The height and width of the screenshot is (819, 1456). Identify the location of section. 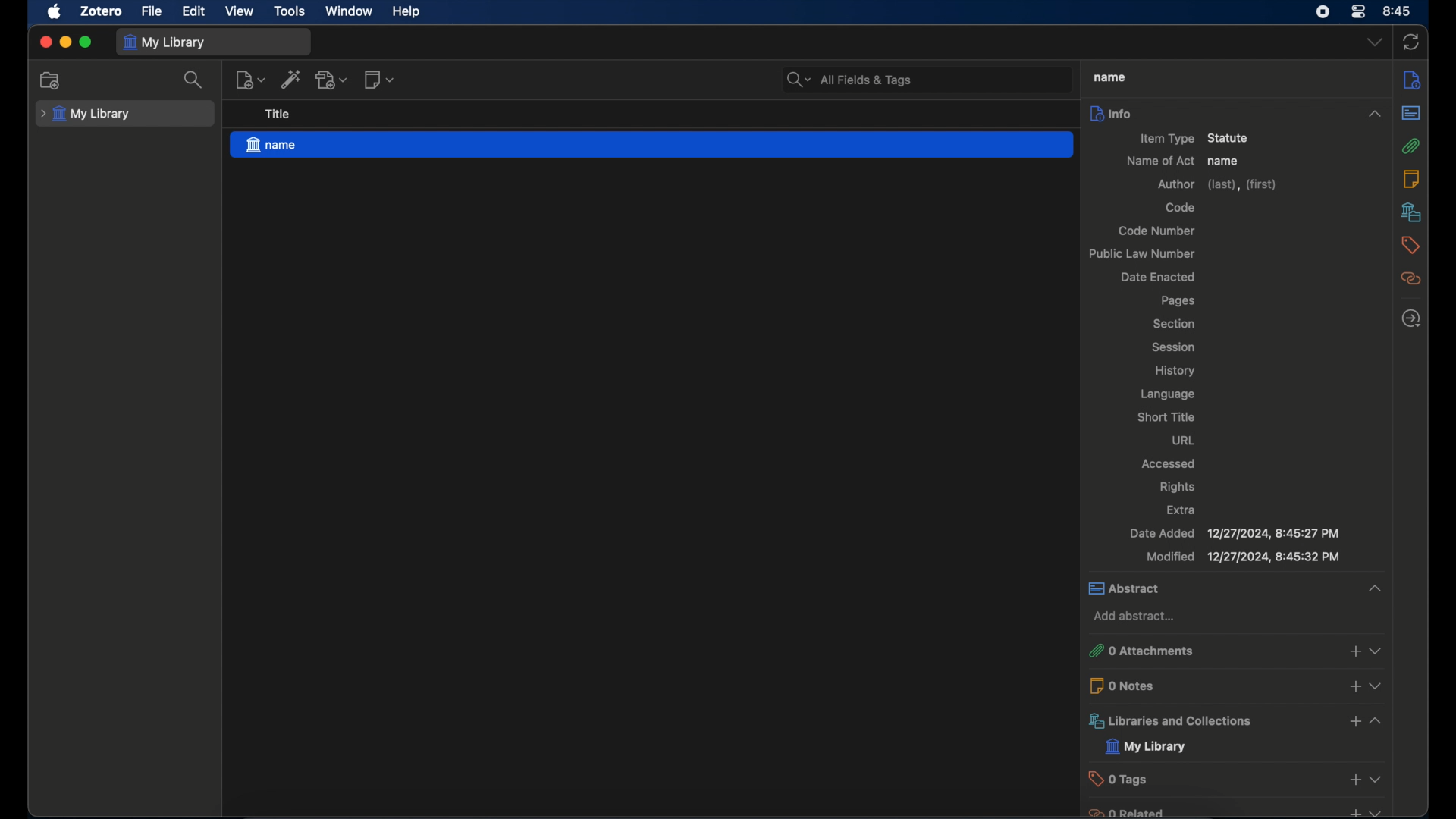
(1175, 323).